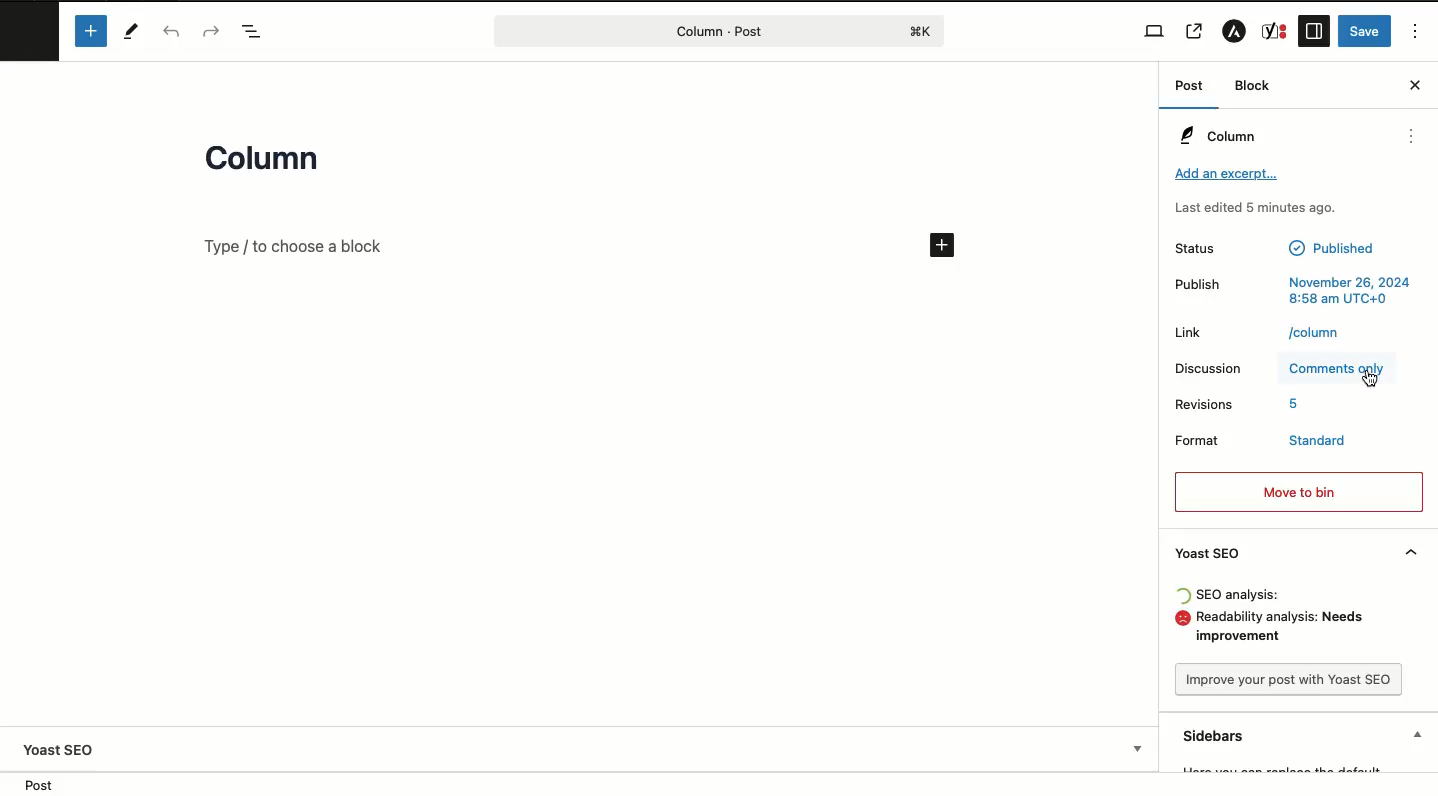  Describe the element at coordinates (1156, 31) in the screenshot. I see `View` at that location.